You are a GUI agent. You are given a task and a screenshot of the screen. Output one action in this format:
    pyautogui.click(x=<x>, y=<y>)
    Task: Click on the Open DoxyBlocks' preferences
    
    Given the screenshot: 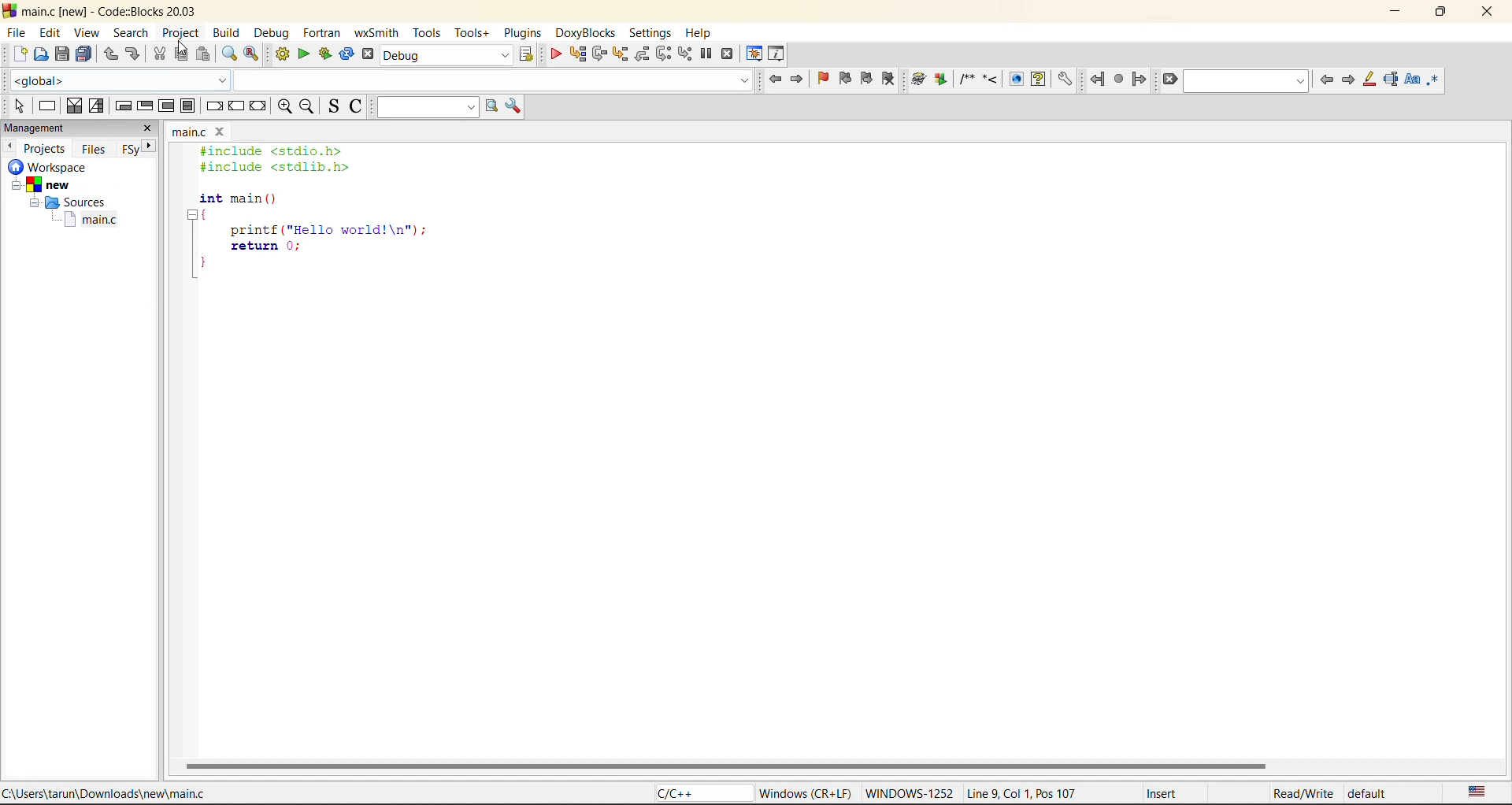 What is the action you would take?
    pyautogui.click(x=1063, y=80)
    